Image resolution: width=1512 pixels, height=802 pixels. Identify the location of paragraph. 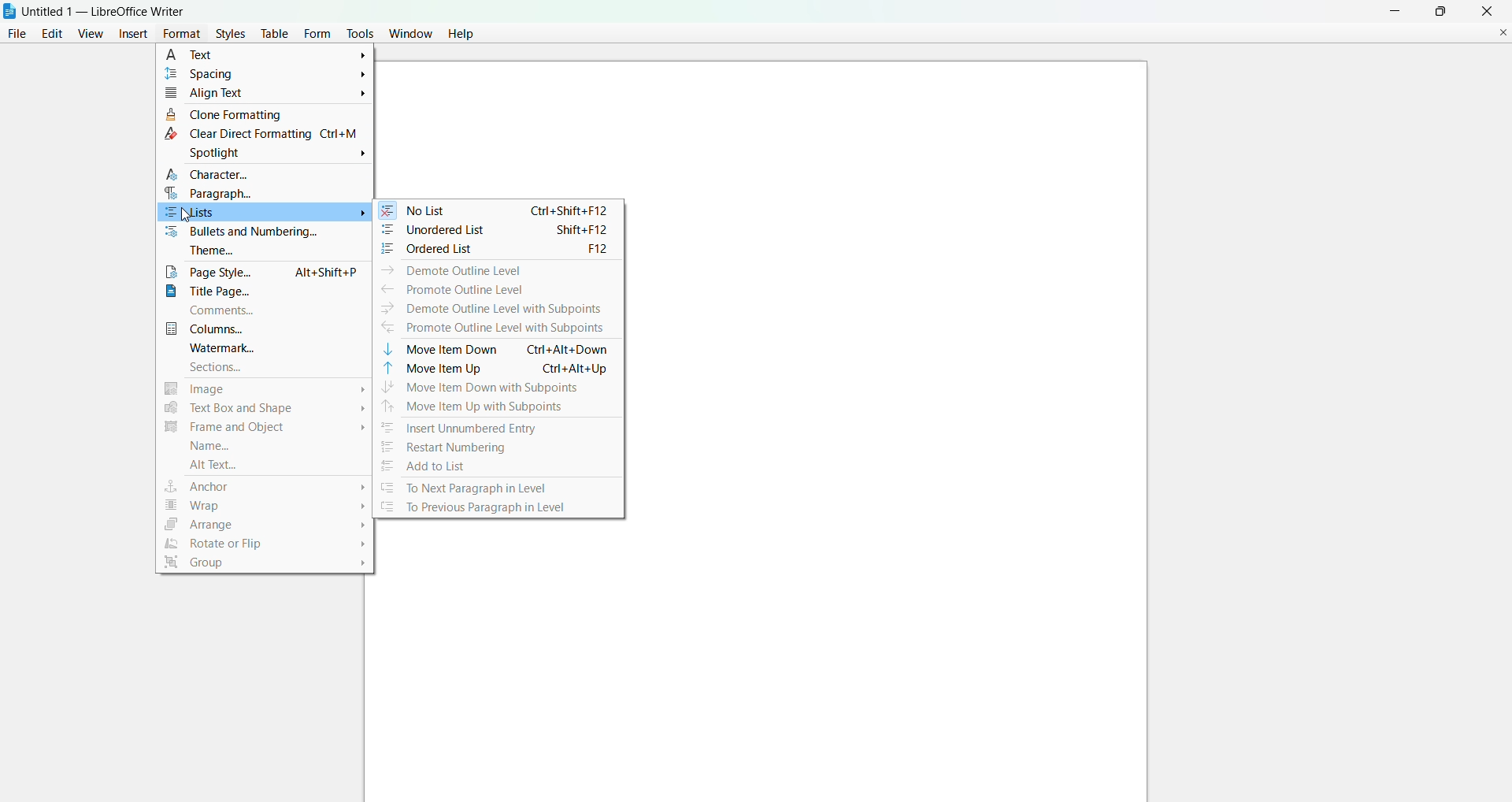
(209, 195).